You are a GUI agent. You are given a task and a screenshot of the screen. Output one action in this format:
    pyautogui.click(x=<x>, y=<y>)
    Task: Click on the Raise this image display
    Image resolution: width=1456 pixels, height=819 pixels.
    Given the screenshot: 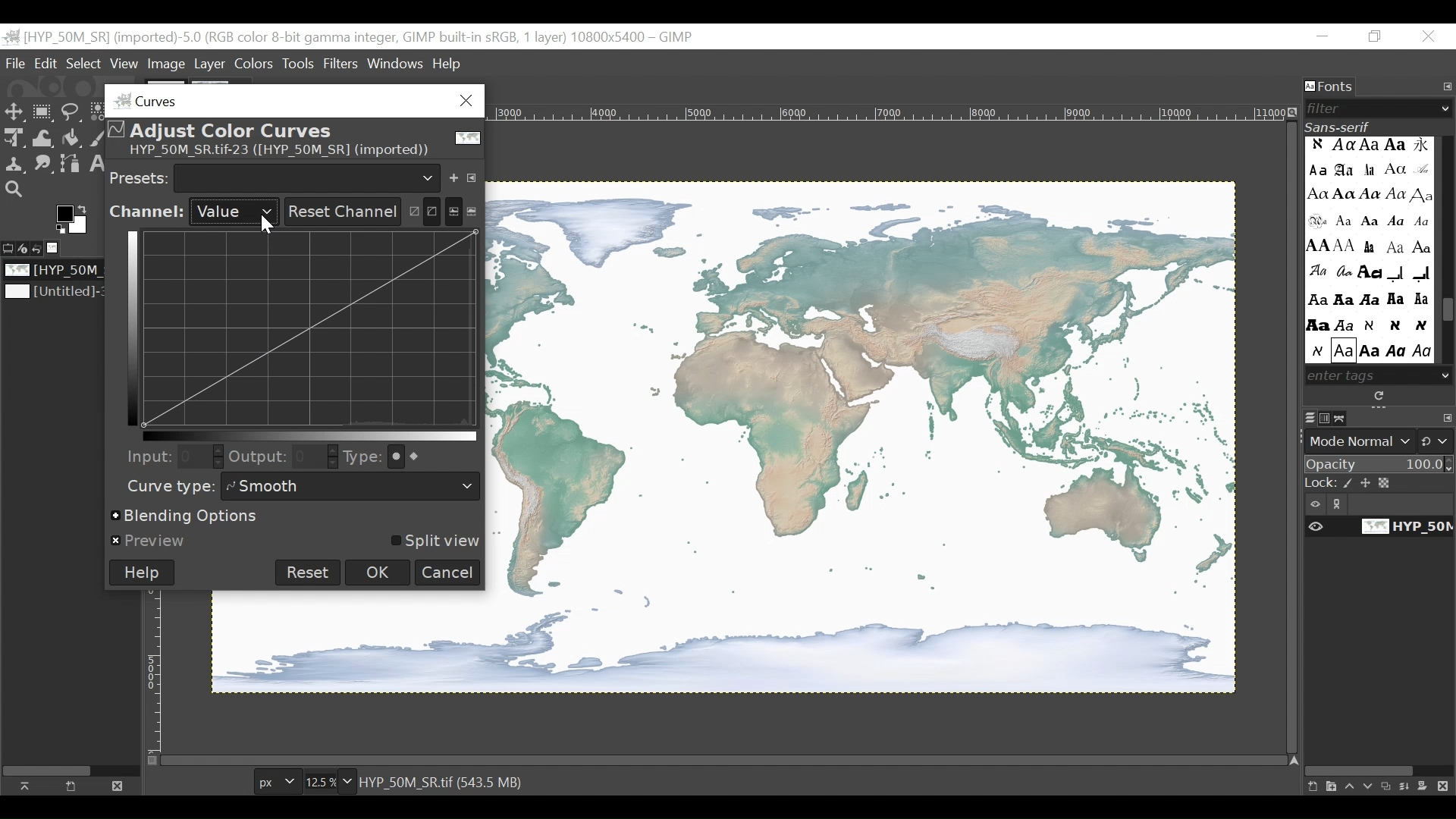 What is the action you would take?
    pyautogui.click(x=29, y=786)
    